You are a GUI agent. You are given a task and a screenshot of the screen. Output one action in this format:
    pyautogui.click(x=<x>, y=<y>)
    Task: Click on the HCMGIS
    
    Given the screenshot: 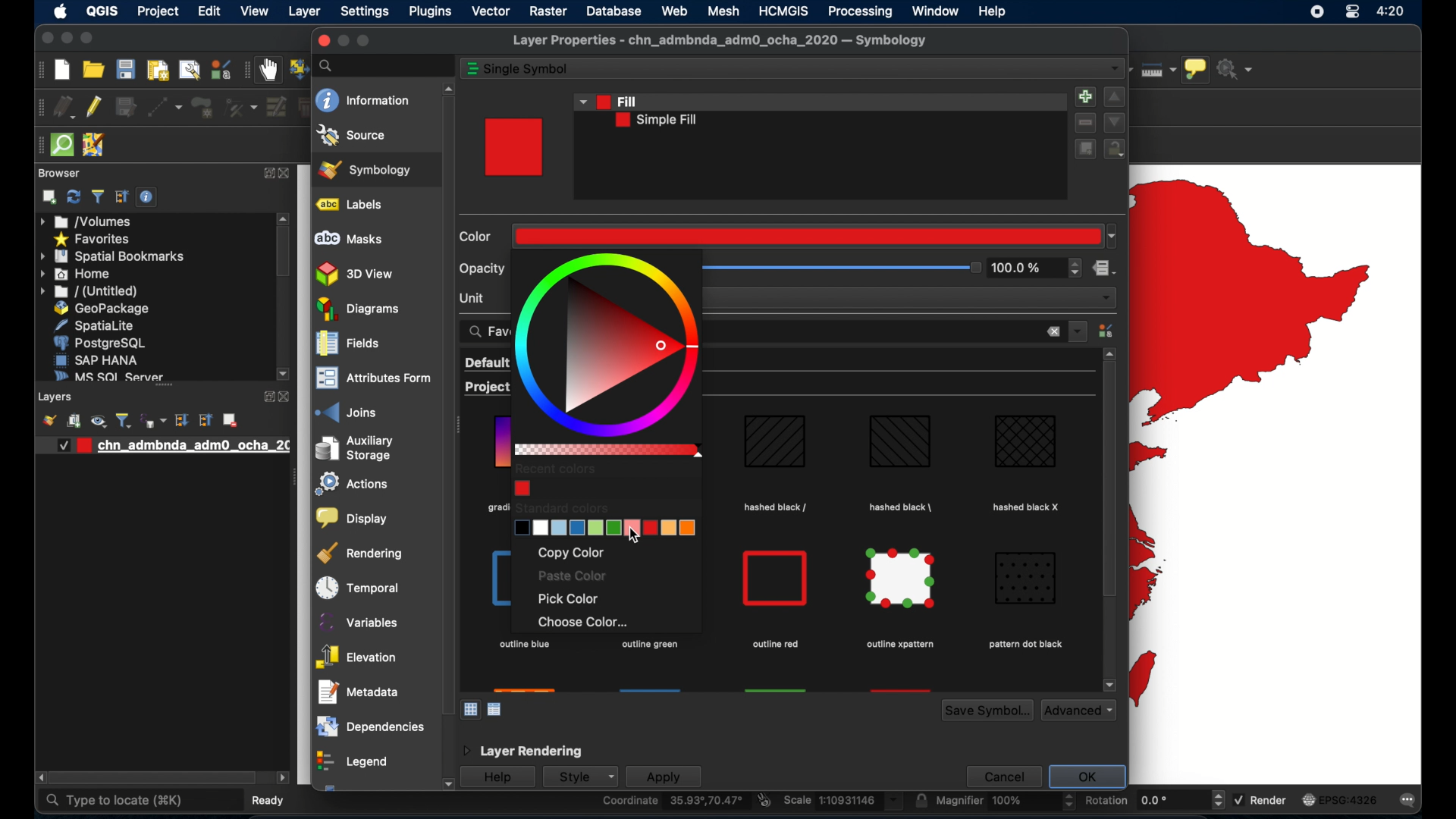 What is the action you would take?
    pyautogui.click(x=783, y=11)
    